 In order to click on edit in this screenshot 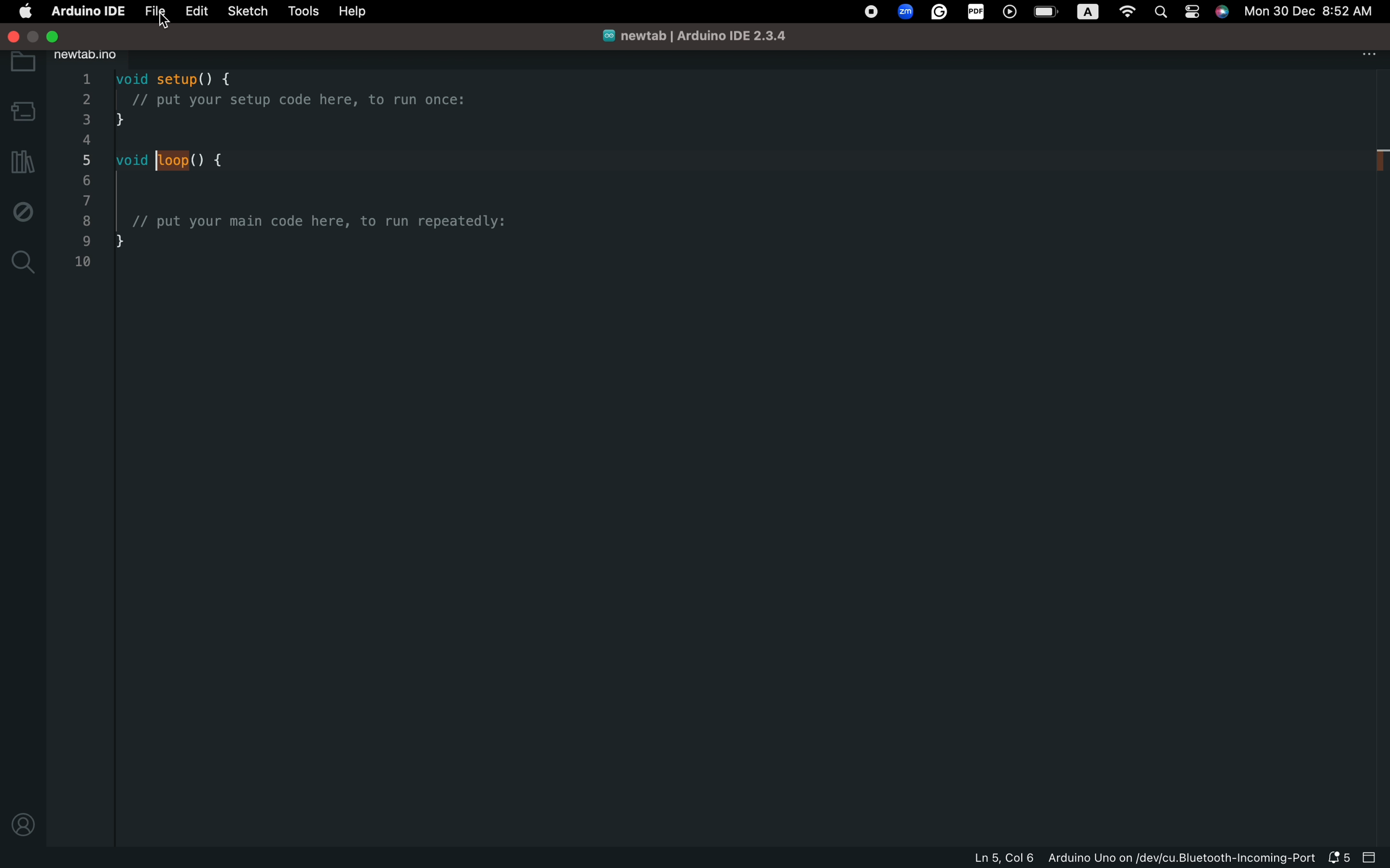, I will do `click(193, 12)`.